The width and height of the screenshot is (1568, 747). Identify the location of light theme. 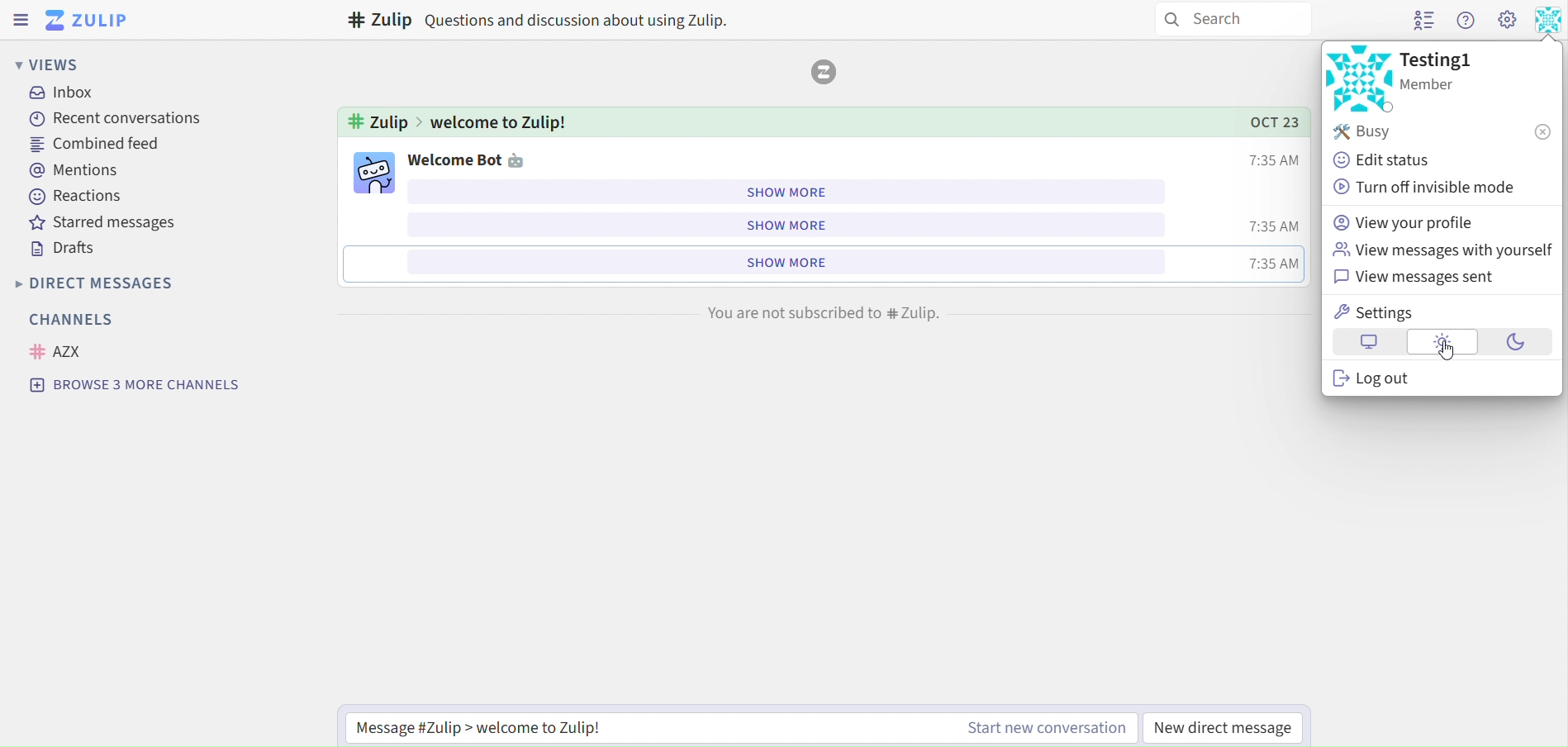
(1443, 343).